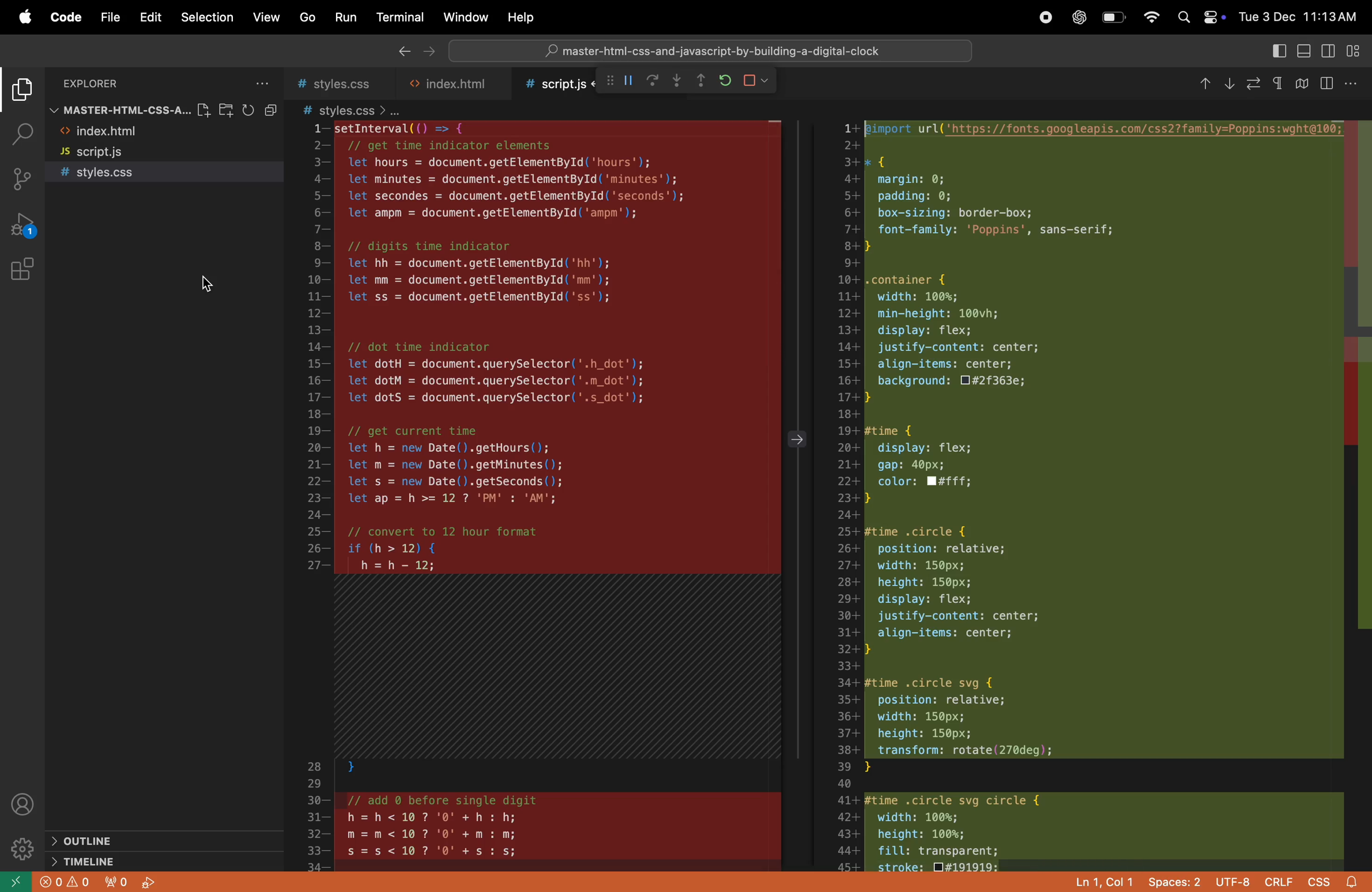 The image size is (1372, 892). Describe the element at coordinates (1277, 52) in the screenshot. I see `toogle primary side bar` at that location.